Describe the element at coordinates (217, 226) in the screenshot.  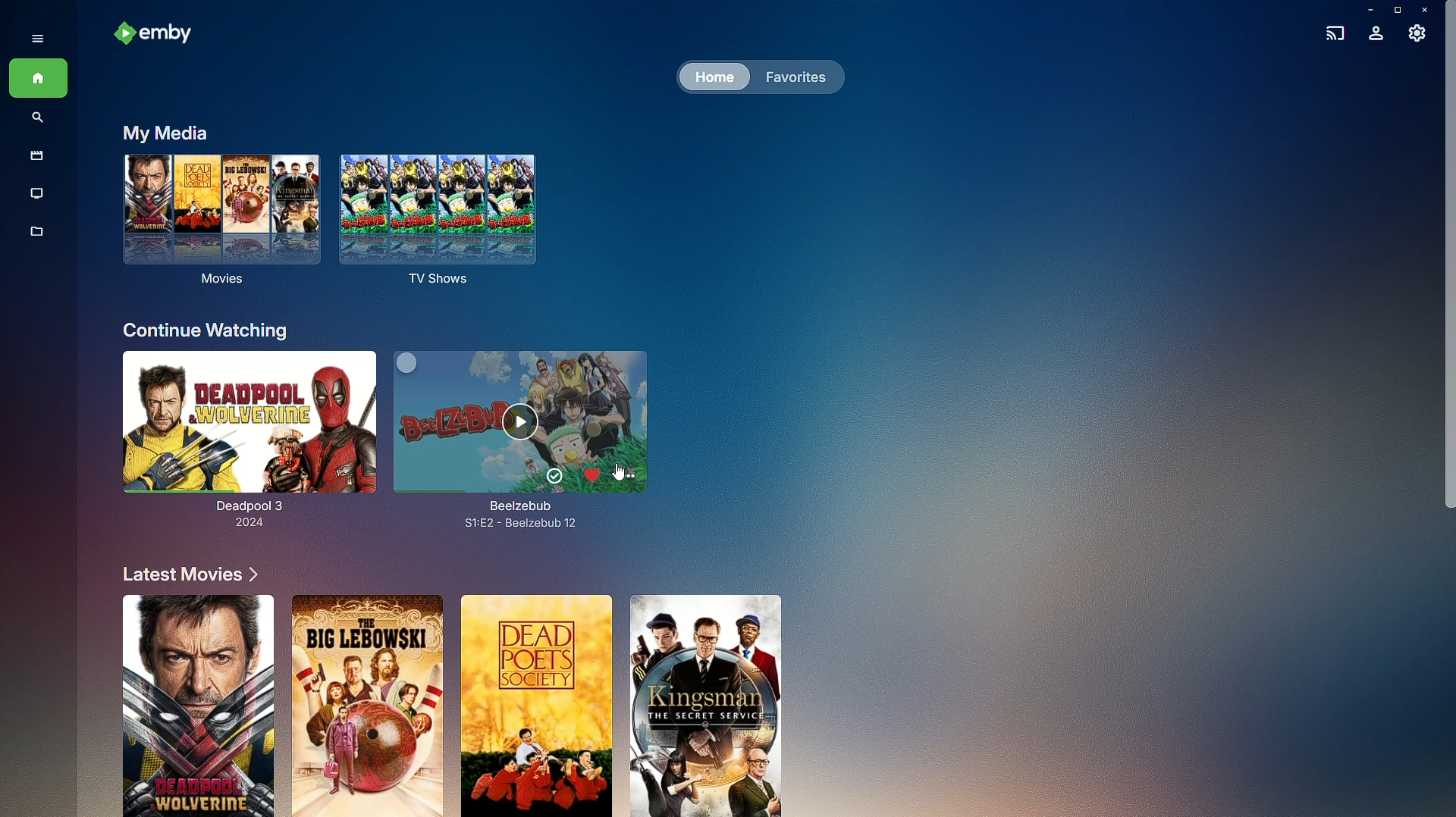
I see `Movies` at that location.